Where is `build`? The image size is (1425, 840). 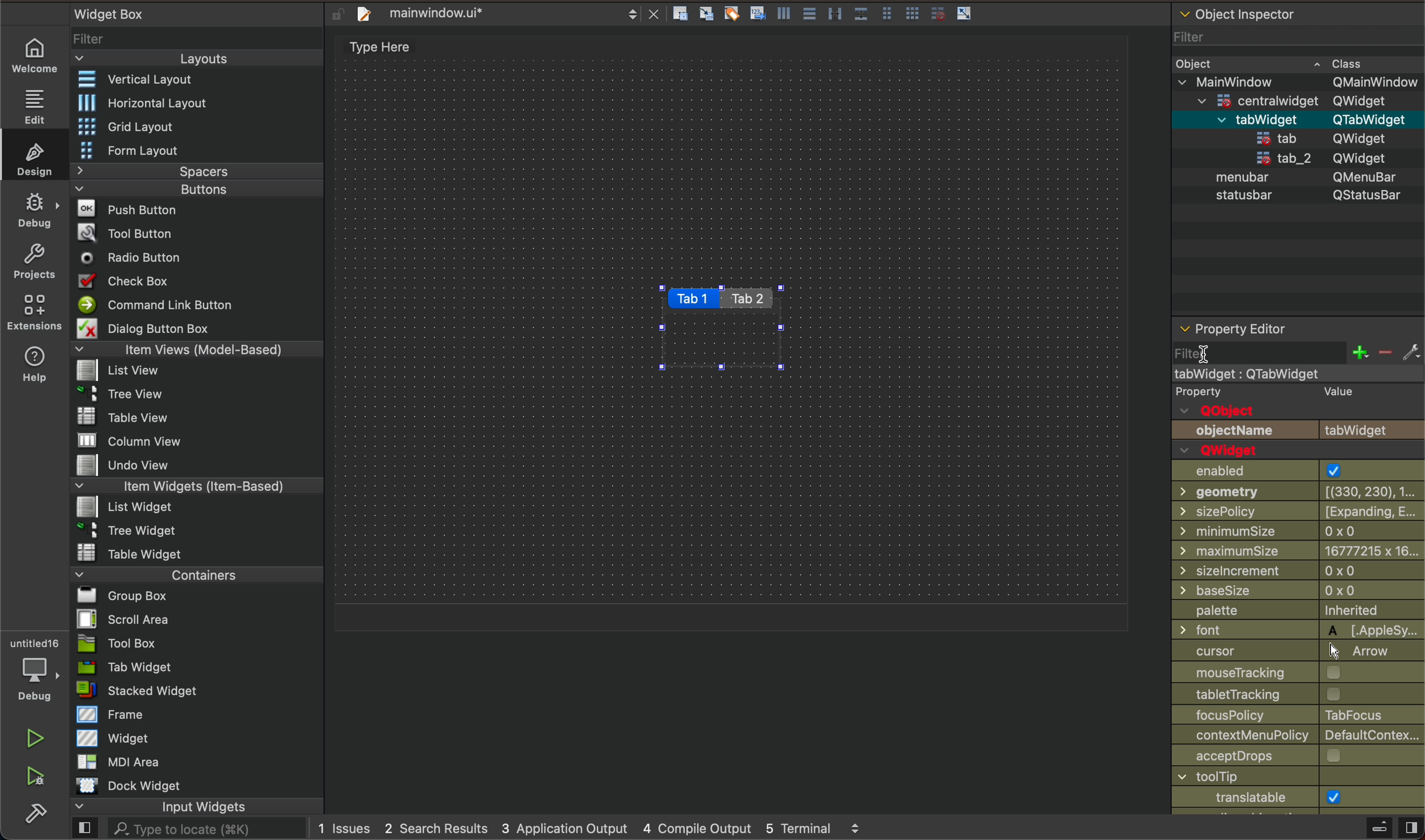 build is located at coordinates (41, 816).